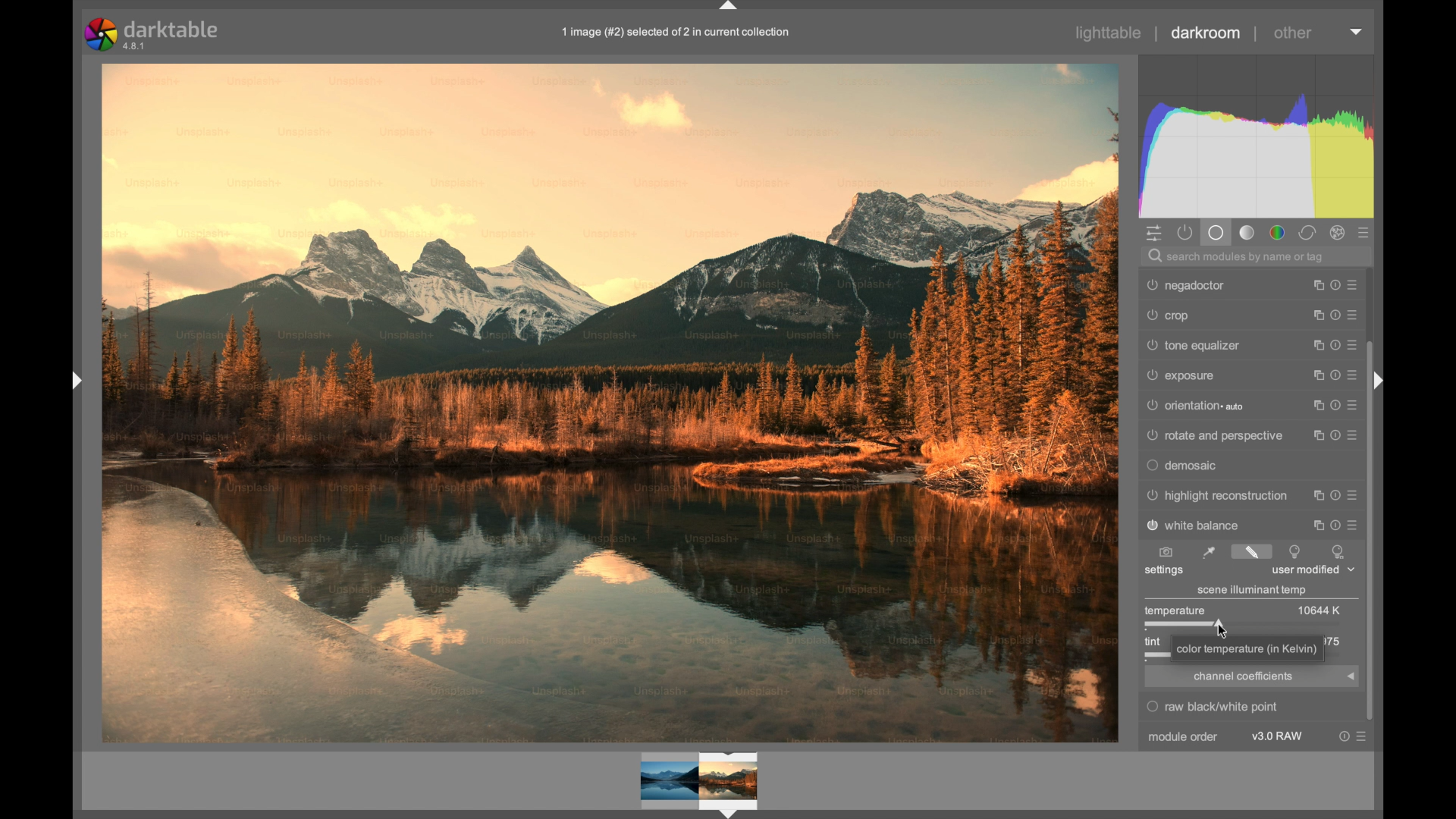 This screenshot has width=1456, height=819. I want to click on arrow, so click(1351, 677).